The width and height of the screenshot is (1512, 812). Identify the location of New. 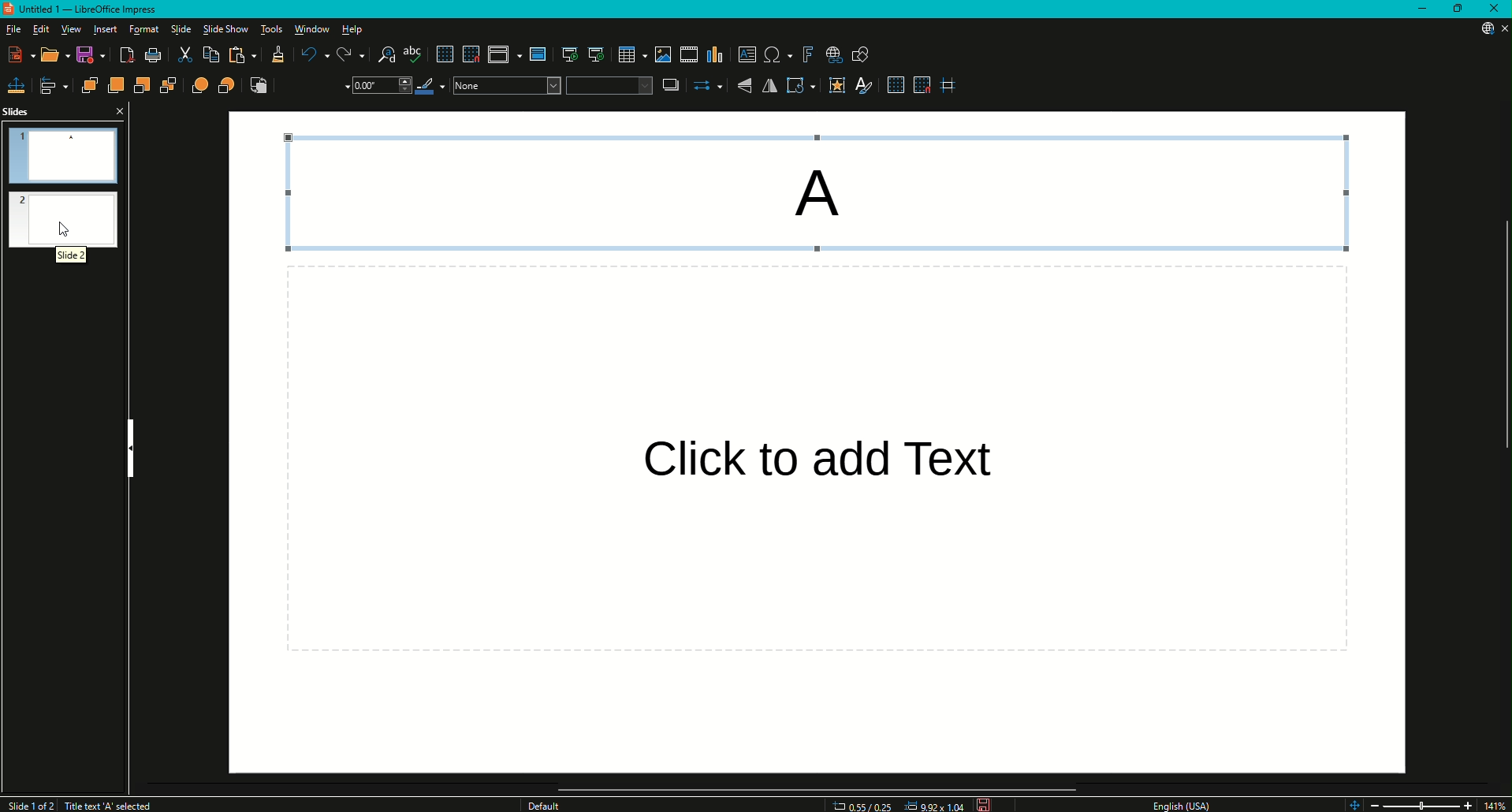
(18, 55).